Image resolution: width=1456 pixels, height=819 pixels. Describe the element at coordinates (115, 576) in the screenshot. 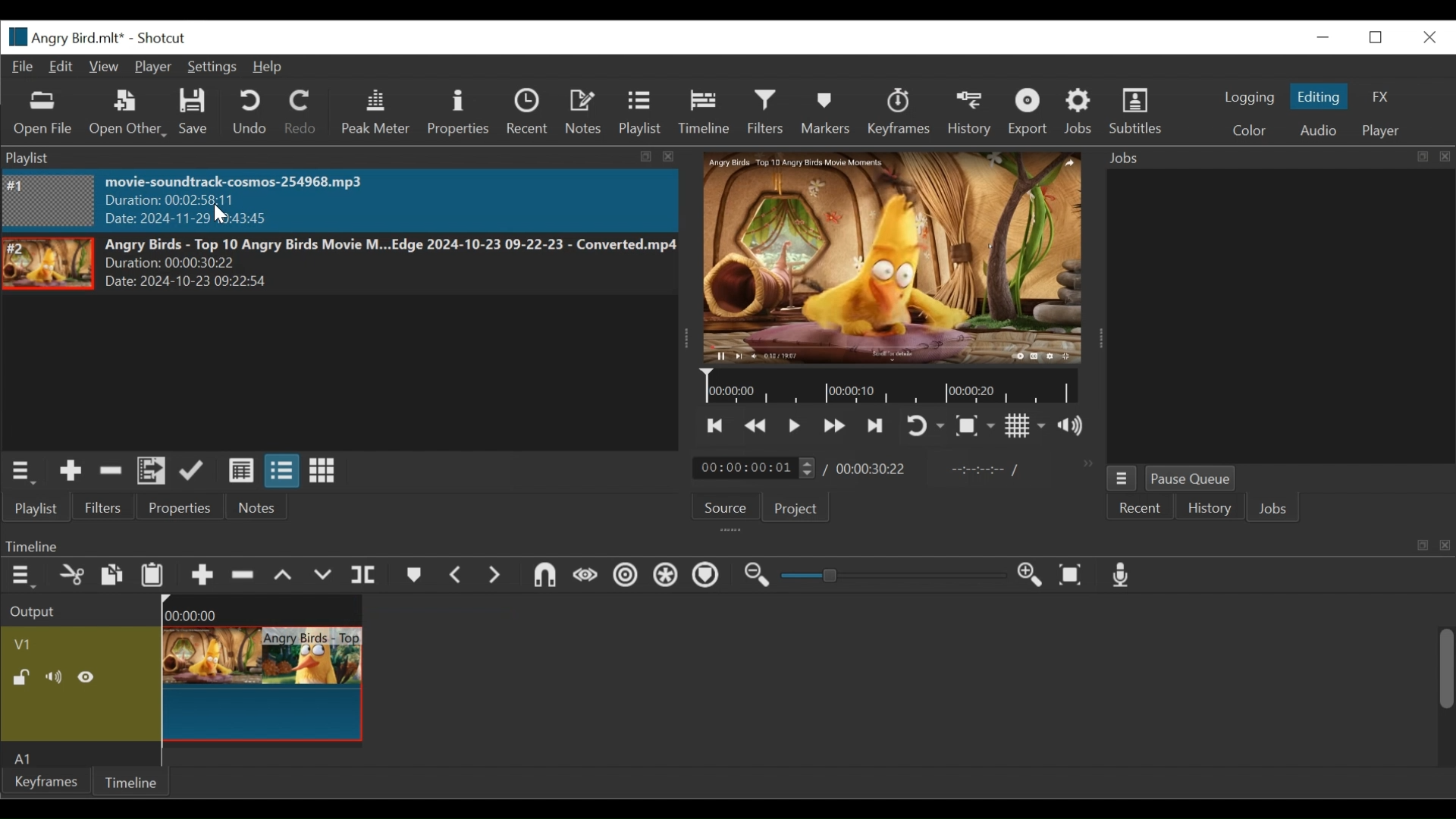

I see `Copy` at that location.